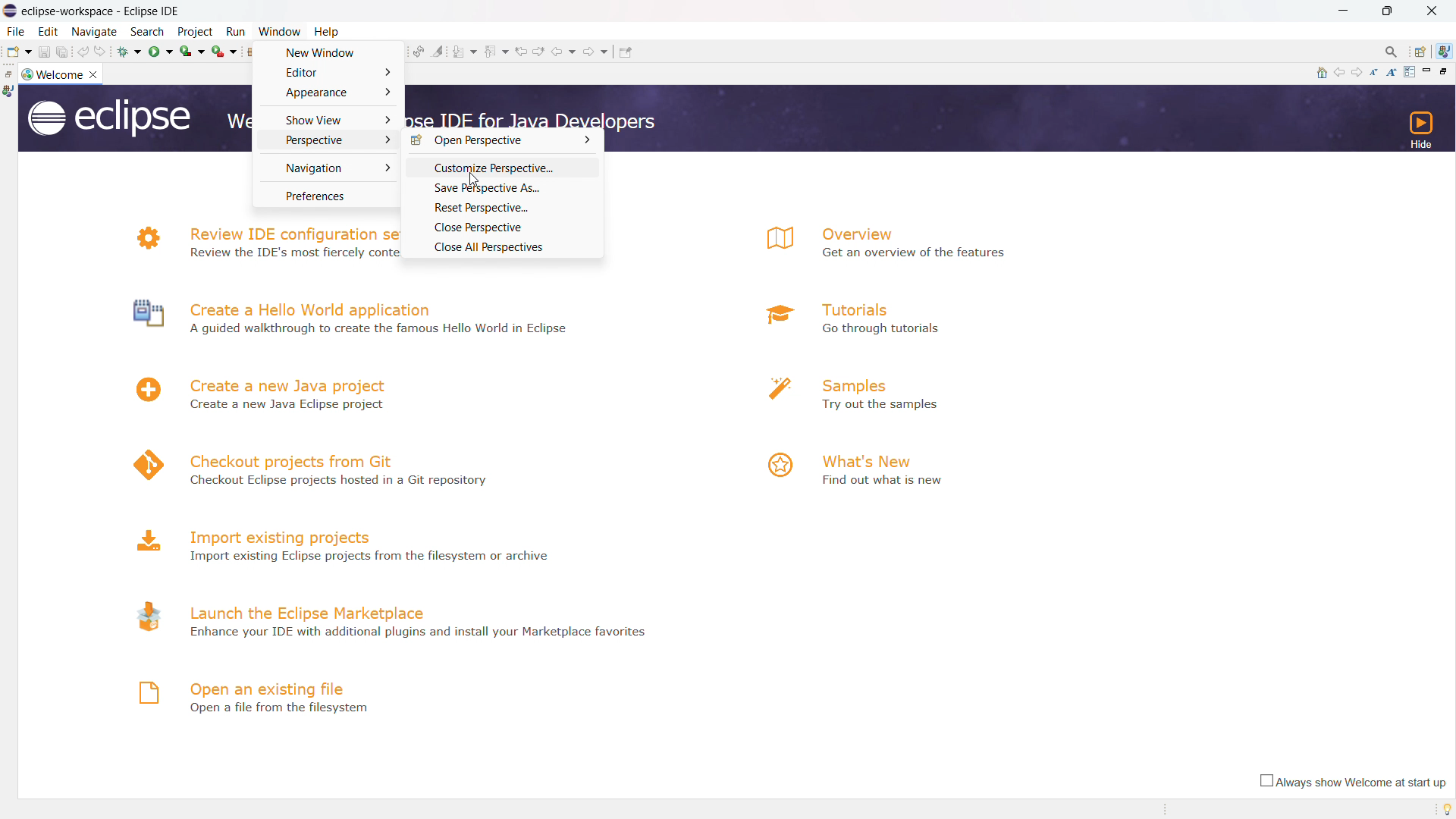  Describe the element at coordinates (144, 692) in the screenshot. I see `logo` at that location.